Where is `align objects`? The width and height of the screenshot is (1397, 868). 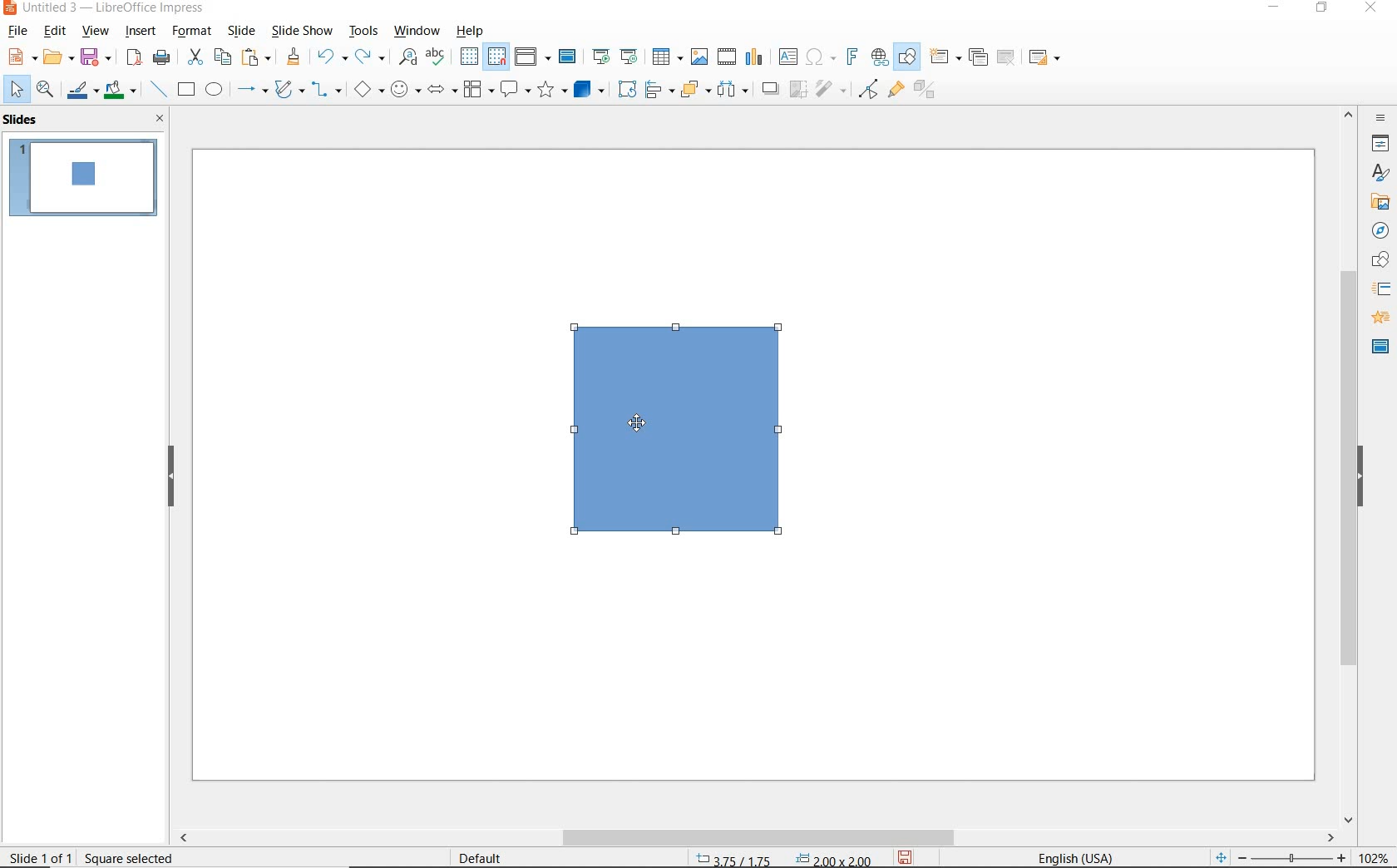 align objects is located at coordinates (659, 91).